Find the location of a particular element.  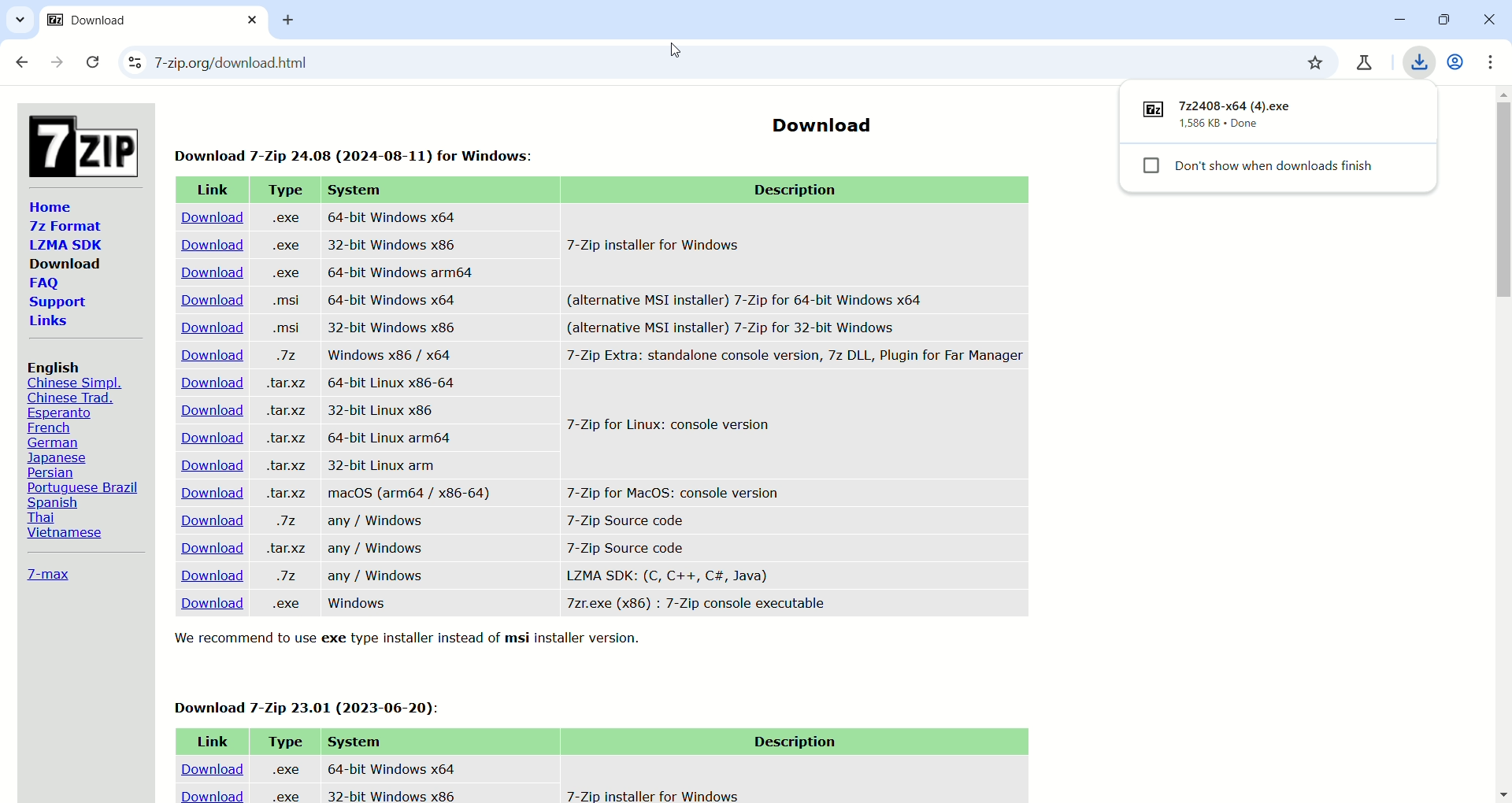

64-bit Windows x64 is located at coordinates (391, 299).